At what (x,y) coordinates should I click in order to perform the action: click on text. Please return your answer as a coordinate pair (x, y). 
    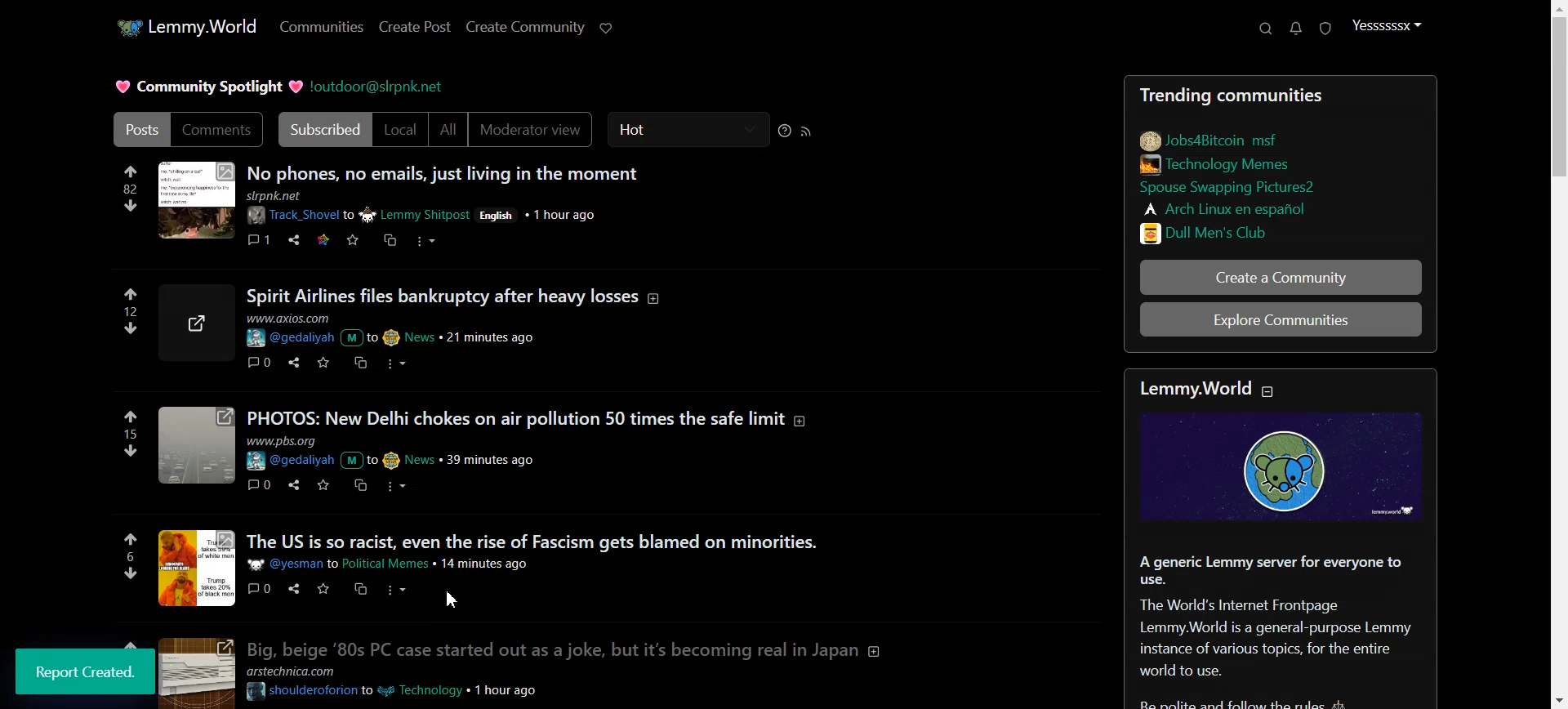
    Looking at the image, I should click on (1205, 389).